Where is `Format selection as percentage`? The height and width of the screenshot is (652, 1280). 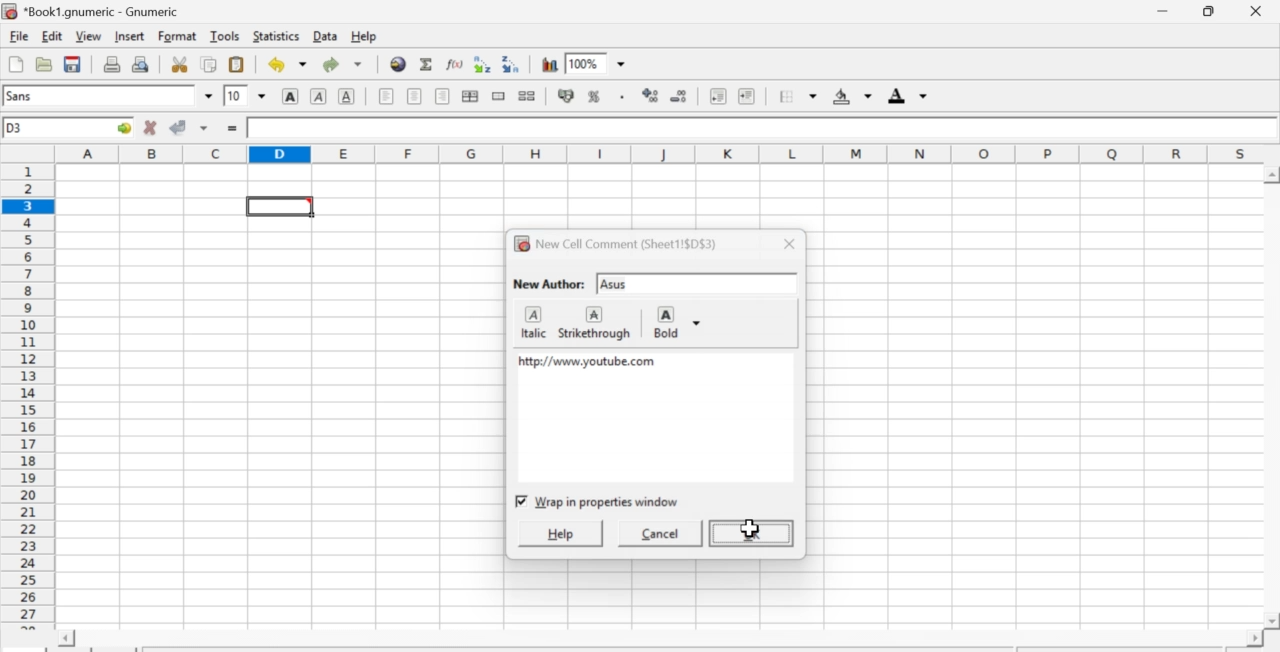 Format selection as percentage is located at coordinates (594, 95).